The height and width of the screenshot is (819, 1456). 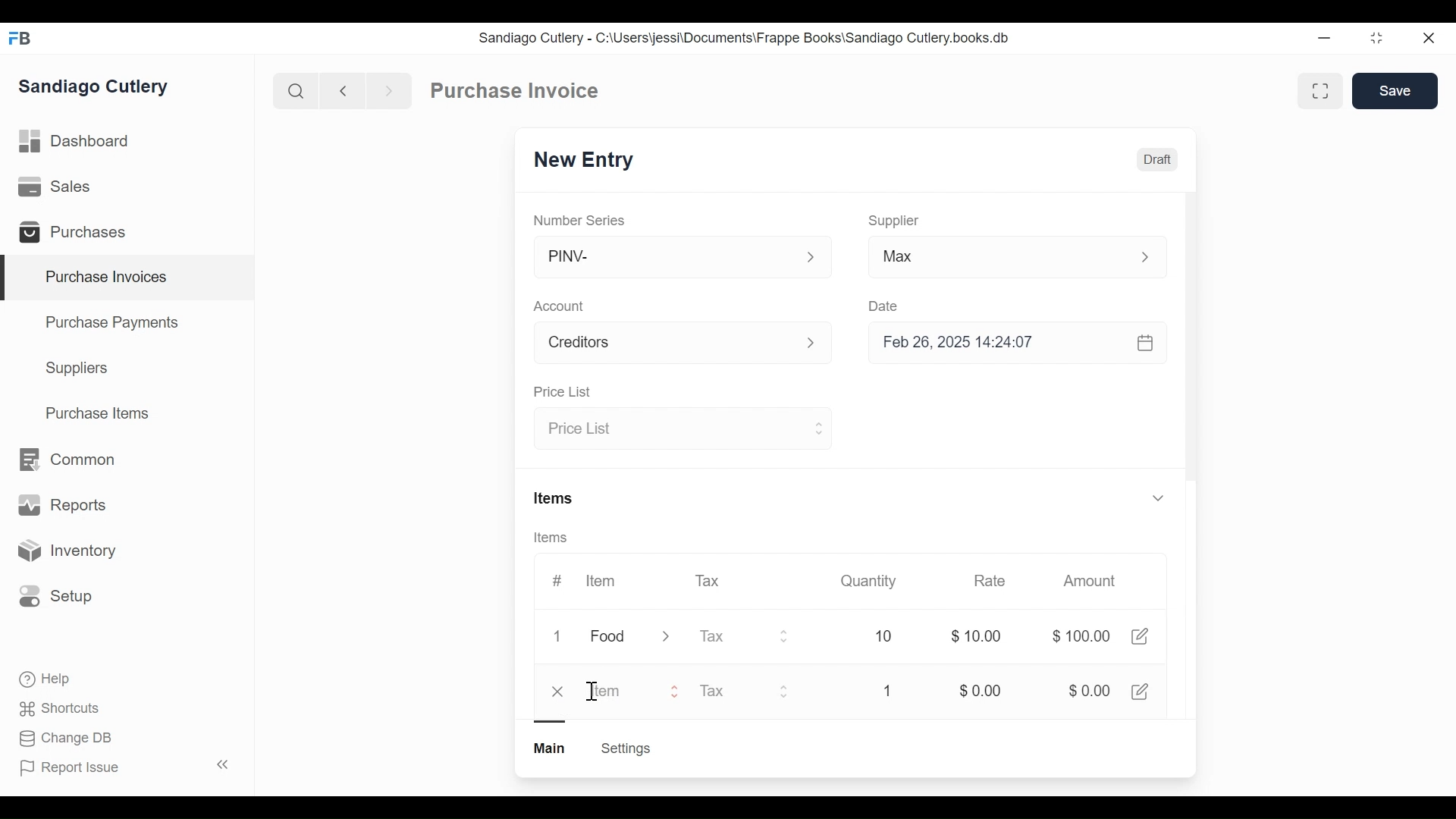 What do you see at coordinates (664, 345) in the screenshot?
I see `Account` at bounding box center [664, 345].